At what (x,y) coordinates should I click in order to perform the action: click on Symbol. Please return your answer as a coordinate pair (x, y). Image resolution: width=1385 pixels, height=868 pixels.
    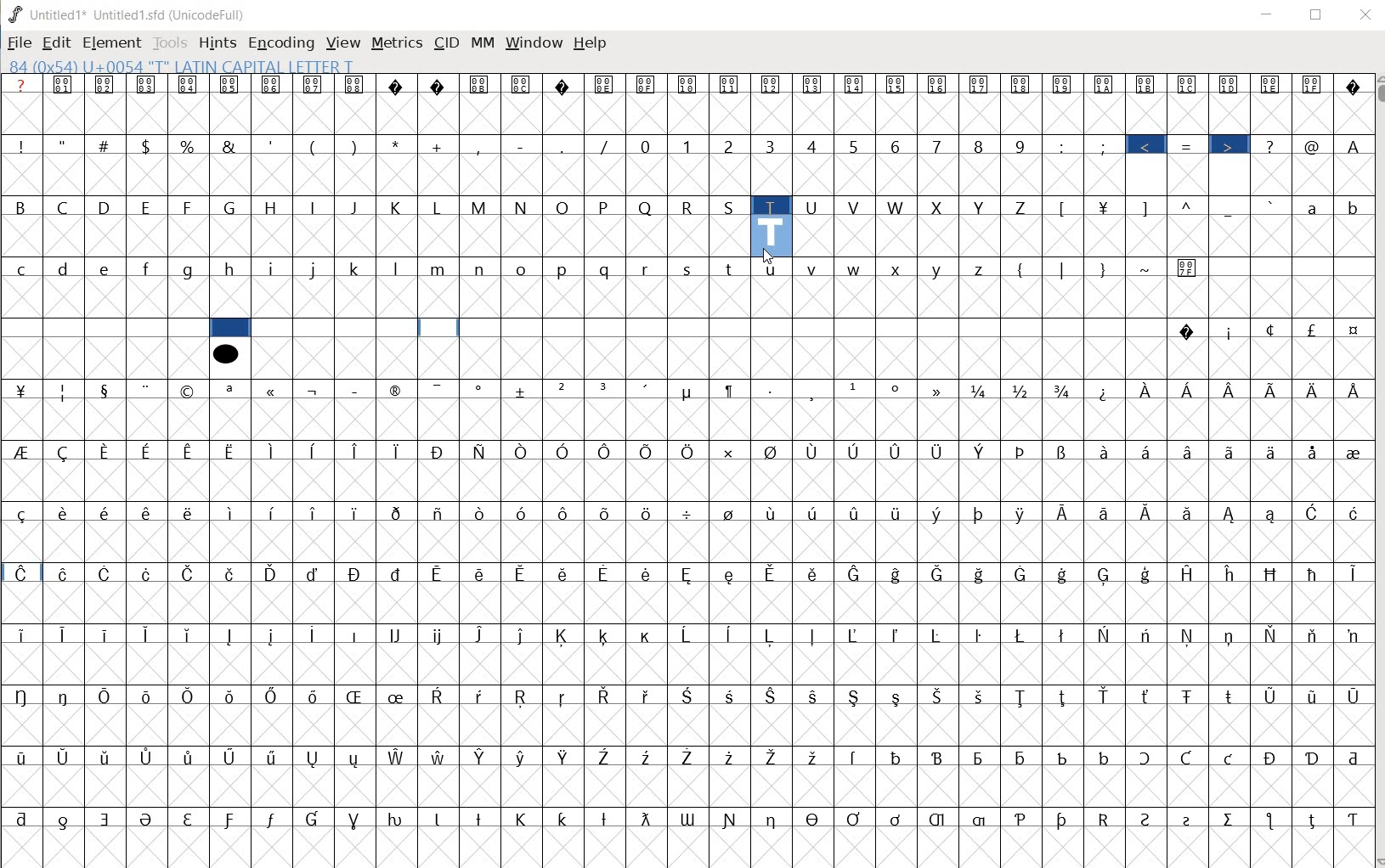
    Looking at the image, I should click on (399, 817).